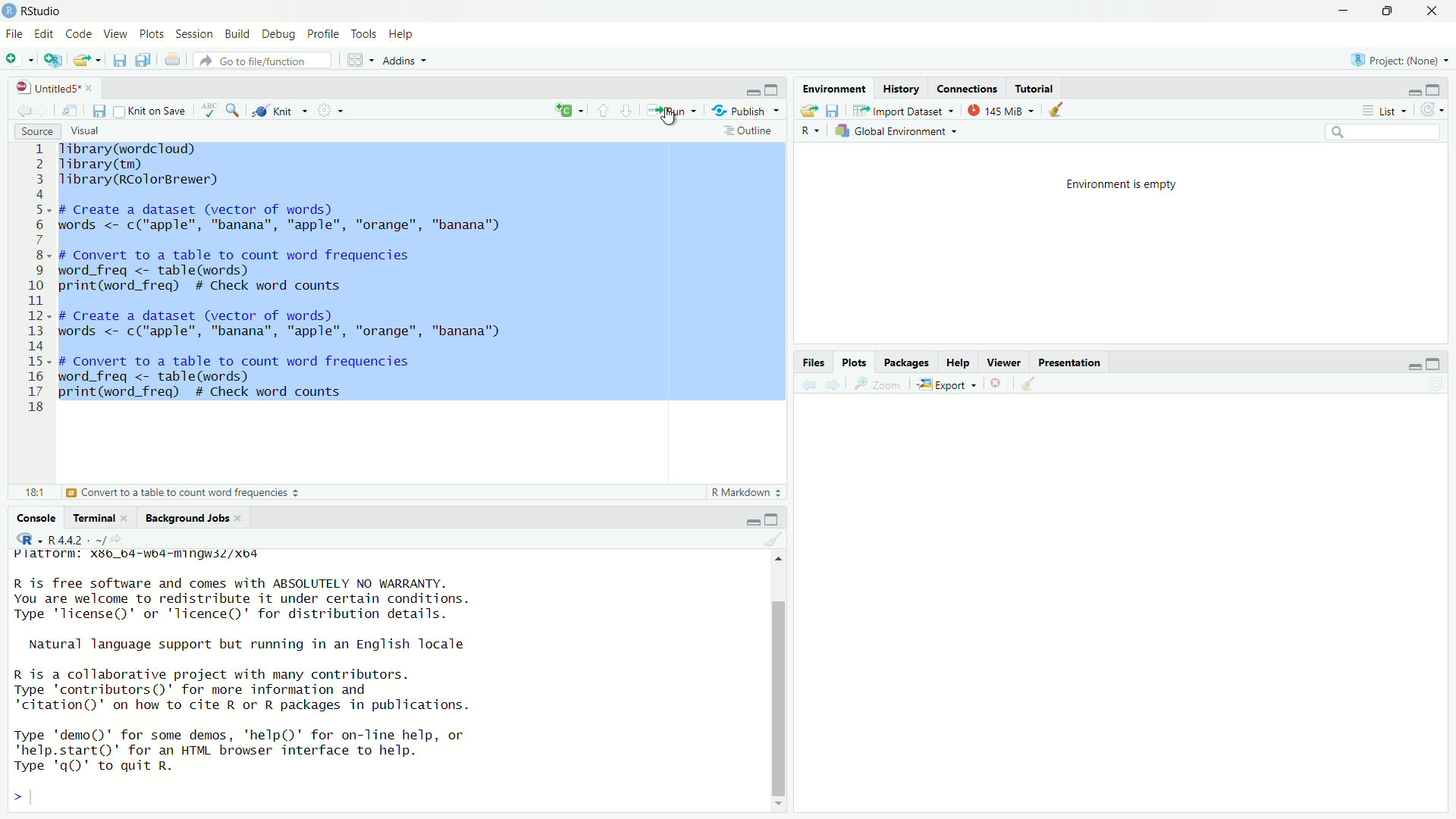 The image size is (1456, 819). I want to click on R, so click(811, 133).